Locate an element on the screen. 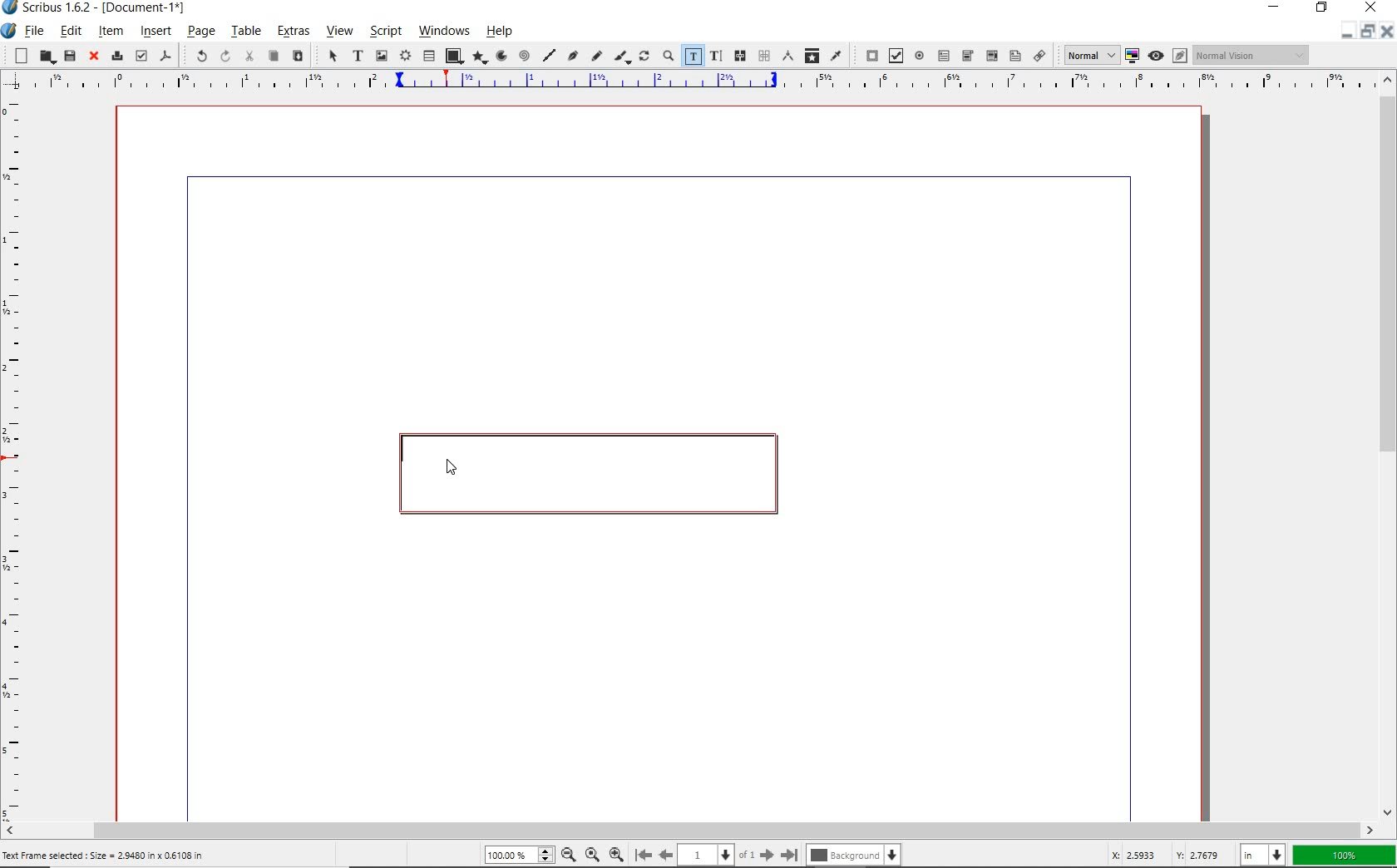 This screenshot has height=868, width=1397. edit text with story editor is located at coordinates (715, 56).